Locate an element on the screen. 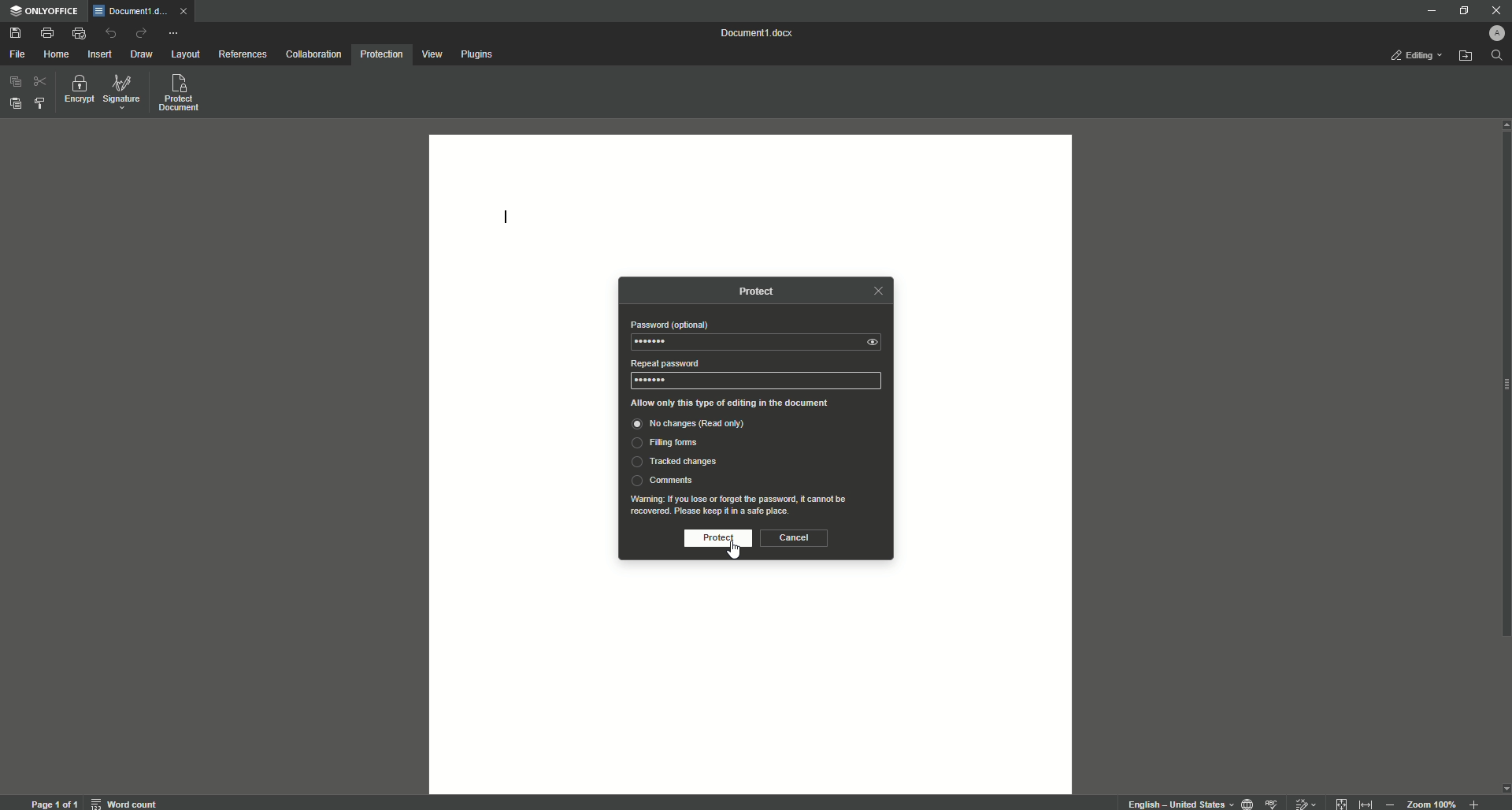 The image size is (1512, 810). Redo is located at coordinates (140, 32).